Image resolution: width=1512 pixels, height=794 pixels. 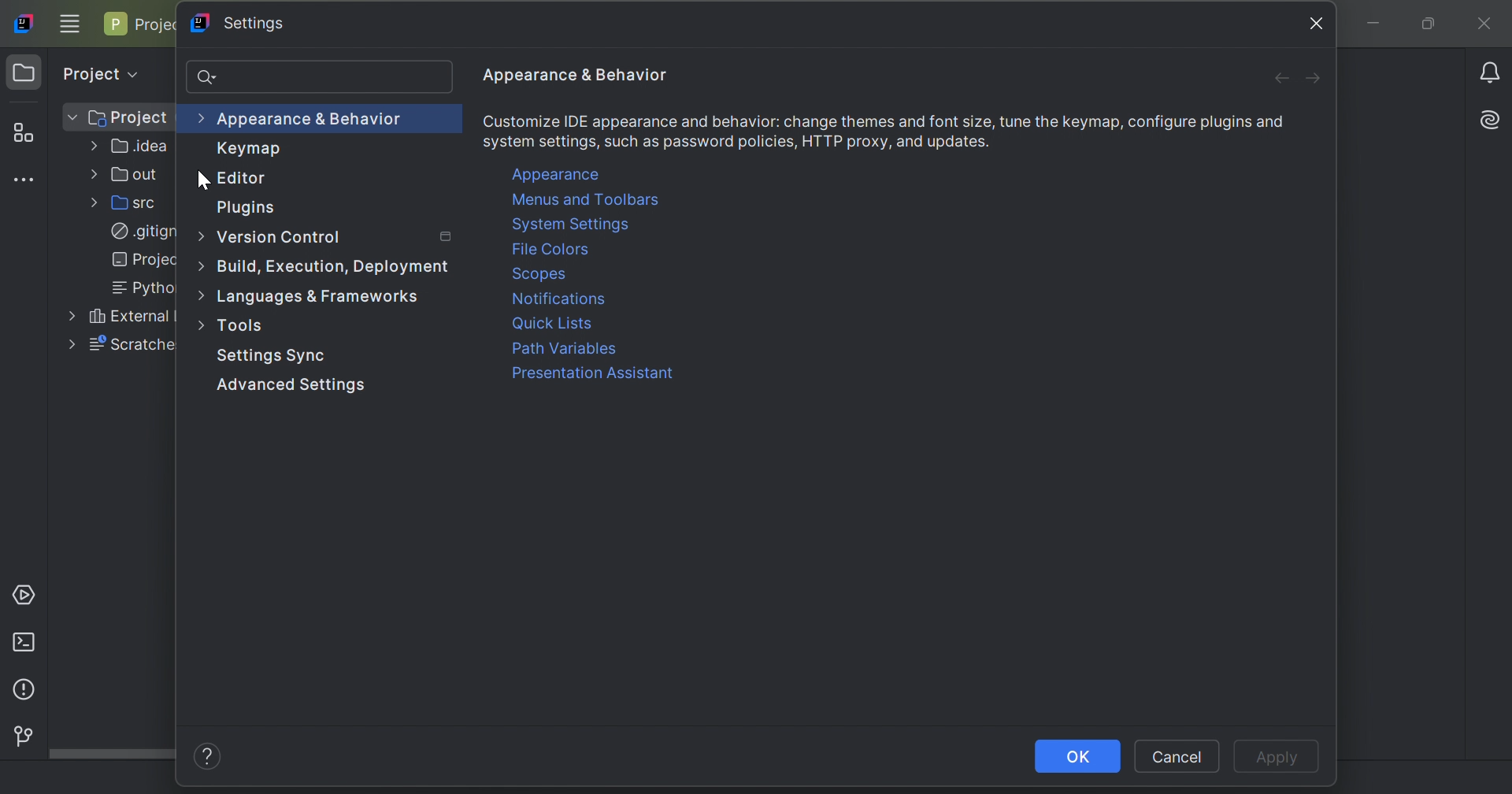 I want to click on Project, so click(x=24, y=73).